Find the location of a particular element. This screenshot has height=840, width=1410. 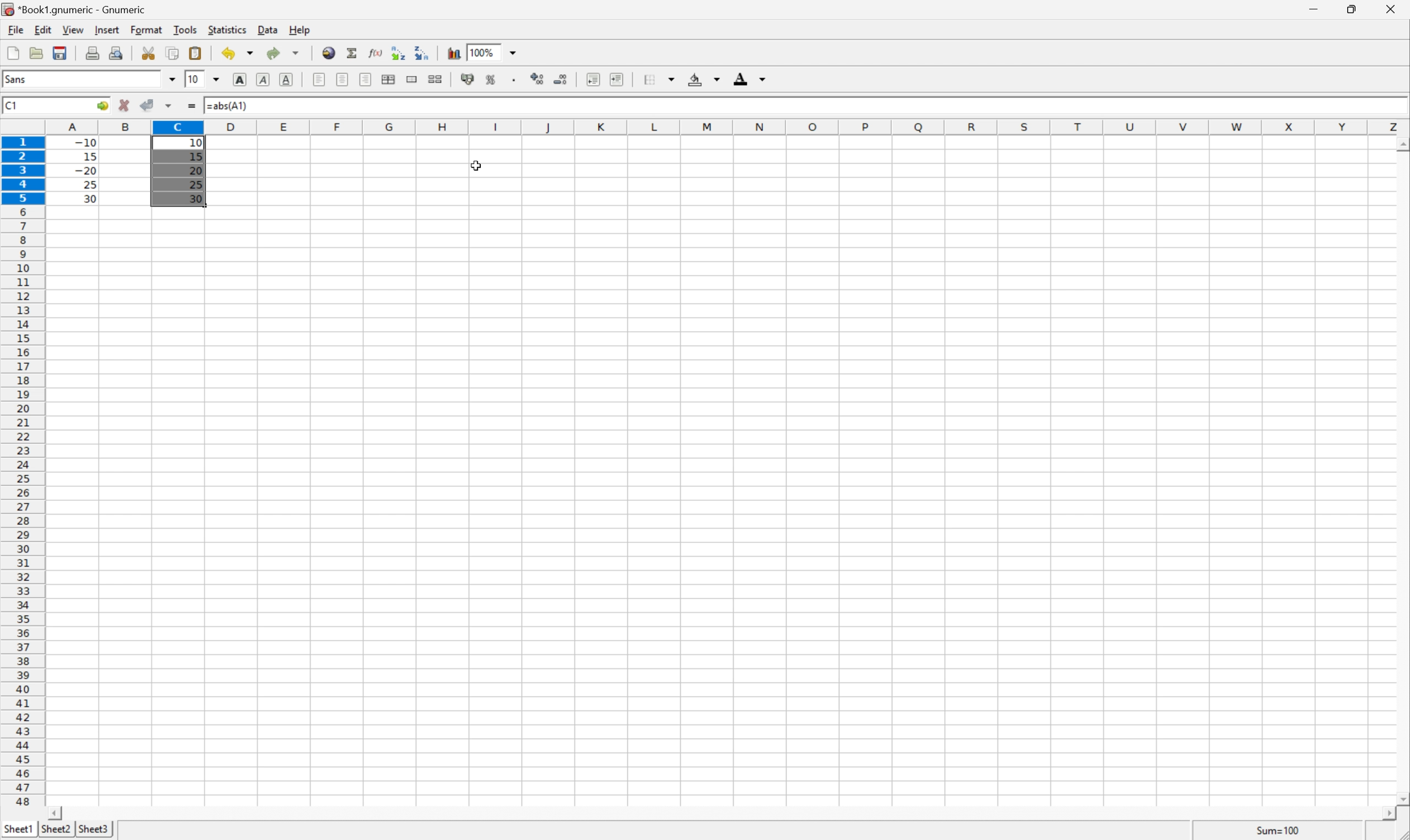

15 is located at coordinates (87, 155).